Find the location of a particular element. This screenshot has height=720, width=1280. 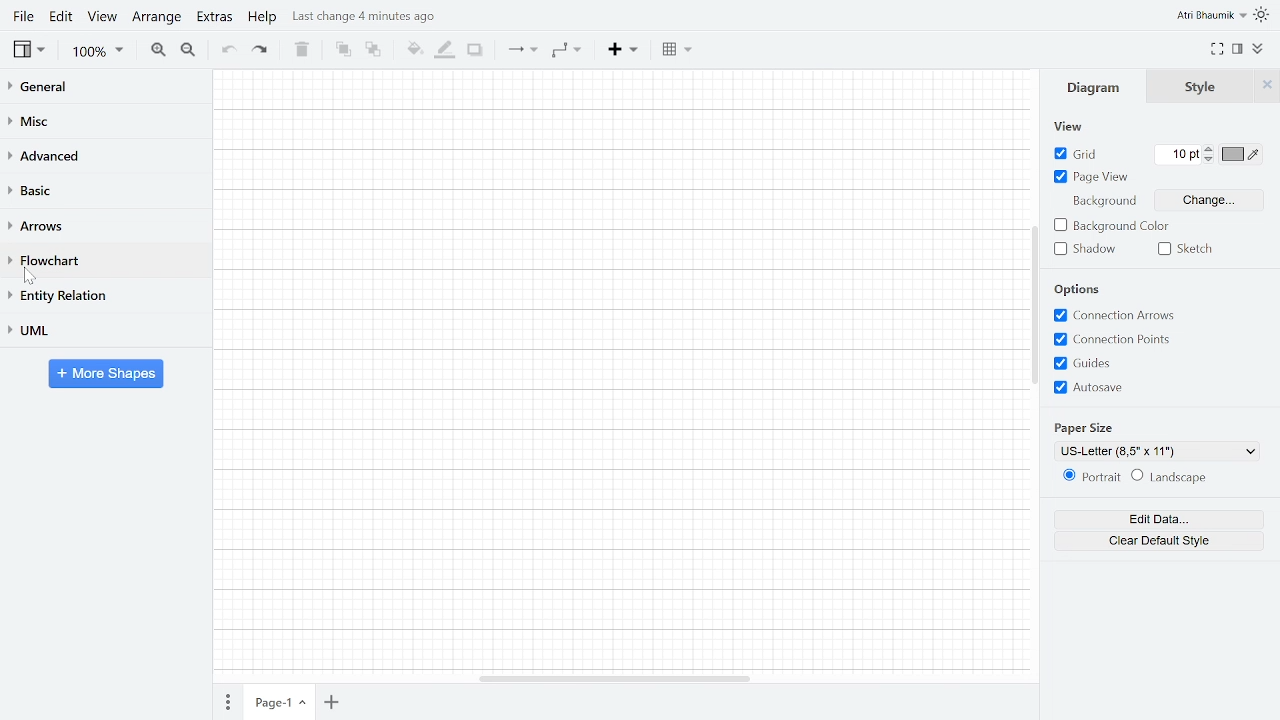

Connection arrows is located at coordinates (1116, 316).